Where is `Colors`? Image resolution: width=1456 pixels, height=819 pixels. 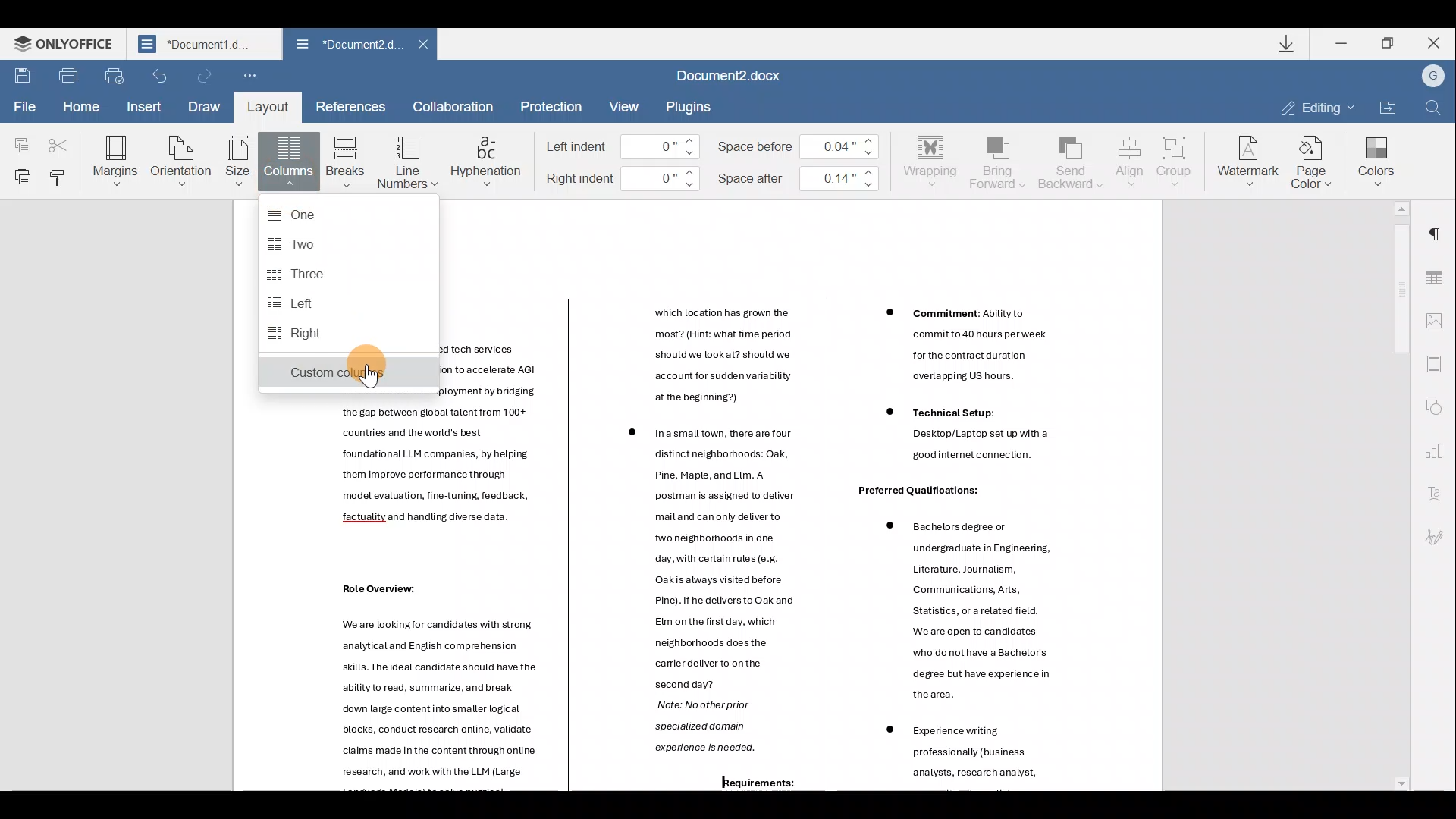 Colors is located at coordinates (1376, 157).